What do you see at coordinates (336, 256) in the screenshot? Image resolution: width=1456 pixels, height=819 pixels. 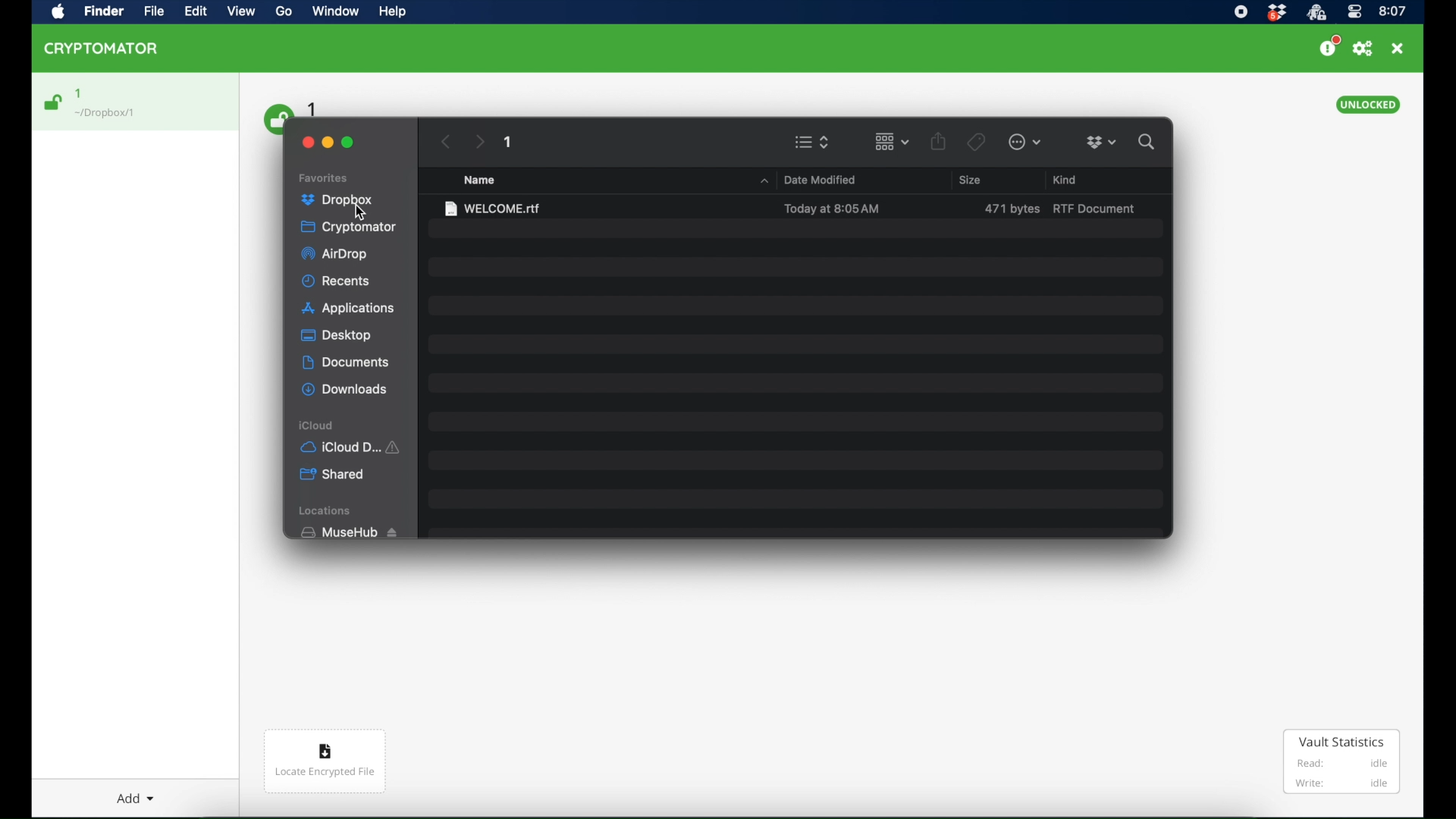 I see `airdrop` at bounding box center [336, 256].